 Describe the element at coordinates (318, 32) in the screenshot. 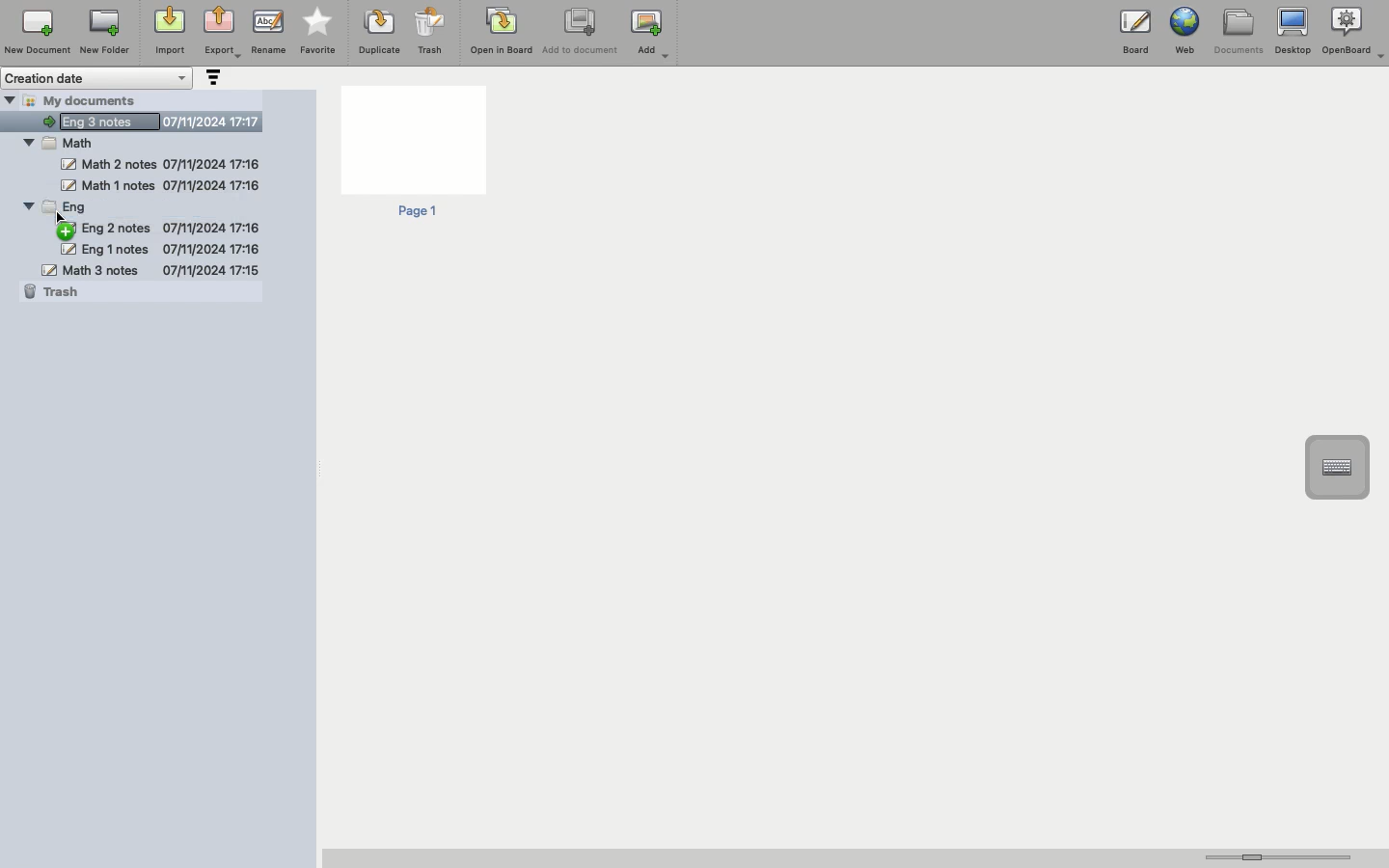

I see `Favorite` at that location.